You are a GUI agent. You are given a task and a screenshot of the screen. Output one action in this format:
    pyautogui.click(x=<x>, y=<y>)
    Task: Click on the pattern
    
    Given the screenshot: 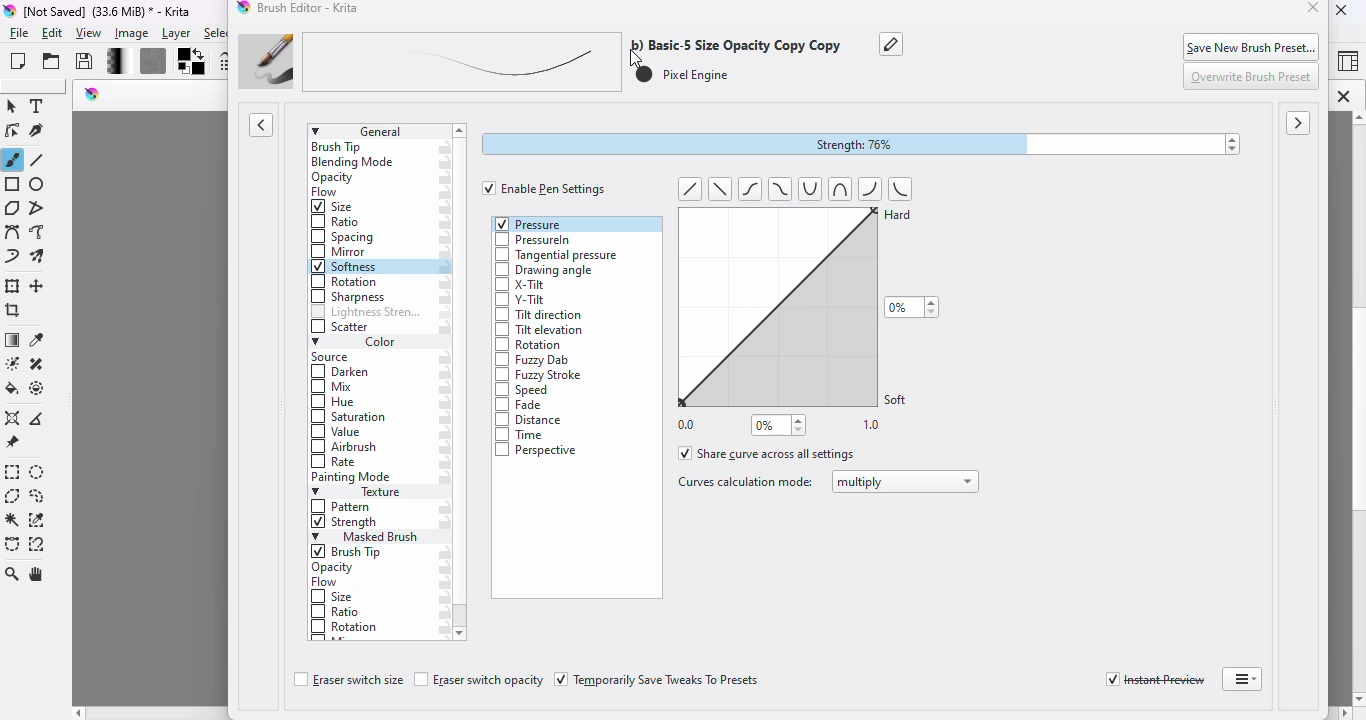 What is the action you would take?
    pyautogui.click(x=343, y=507)
    